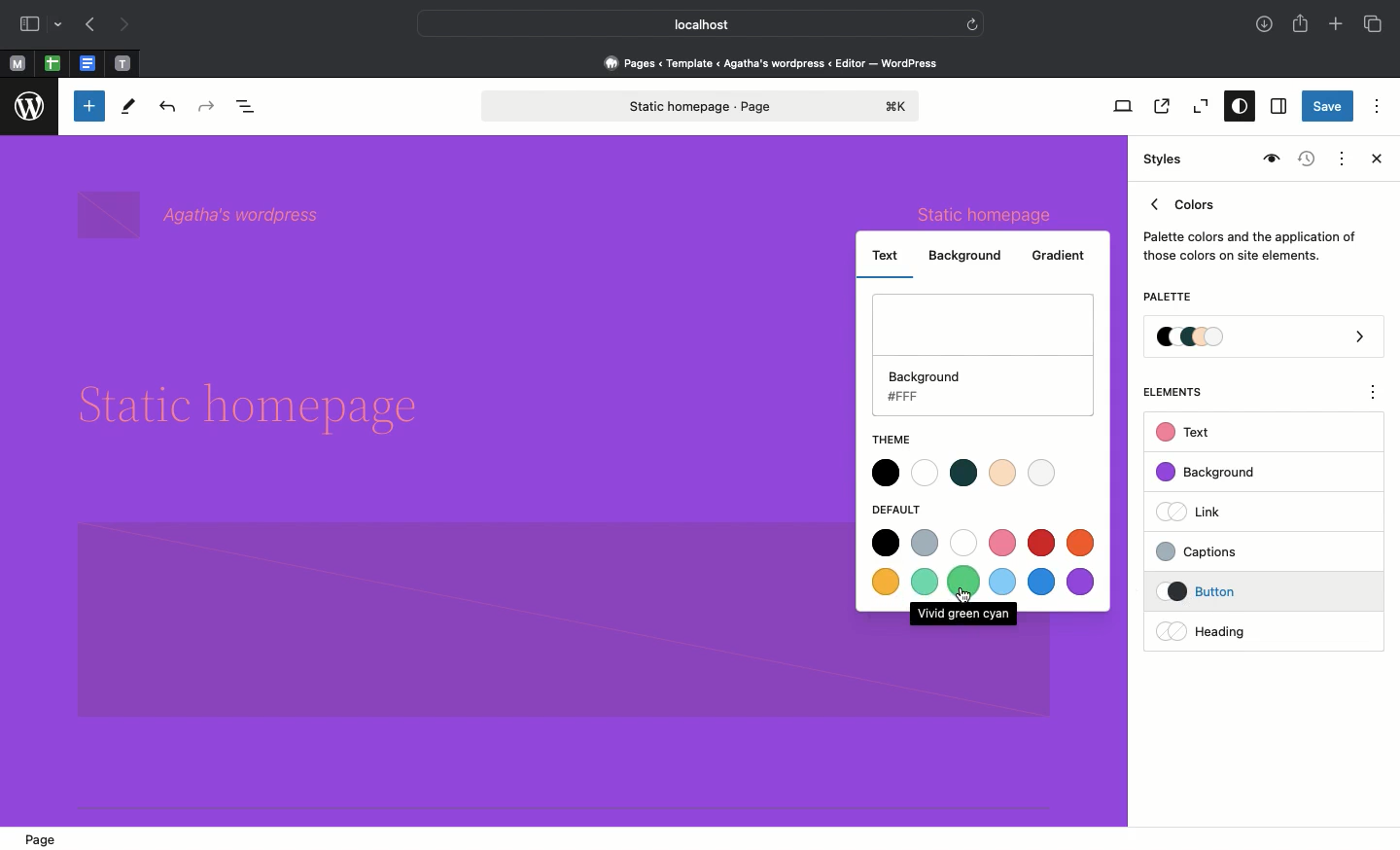 This screenshot has width=1400, height=850. What do you see at coordinates (1328, 108) in the screenshot?
I see `Save` at bounding box center [1328, 108].